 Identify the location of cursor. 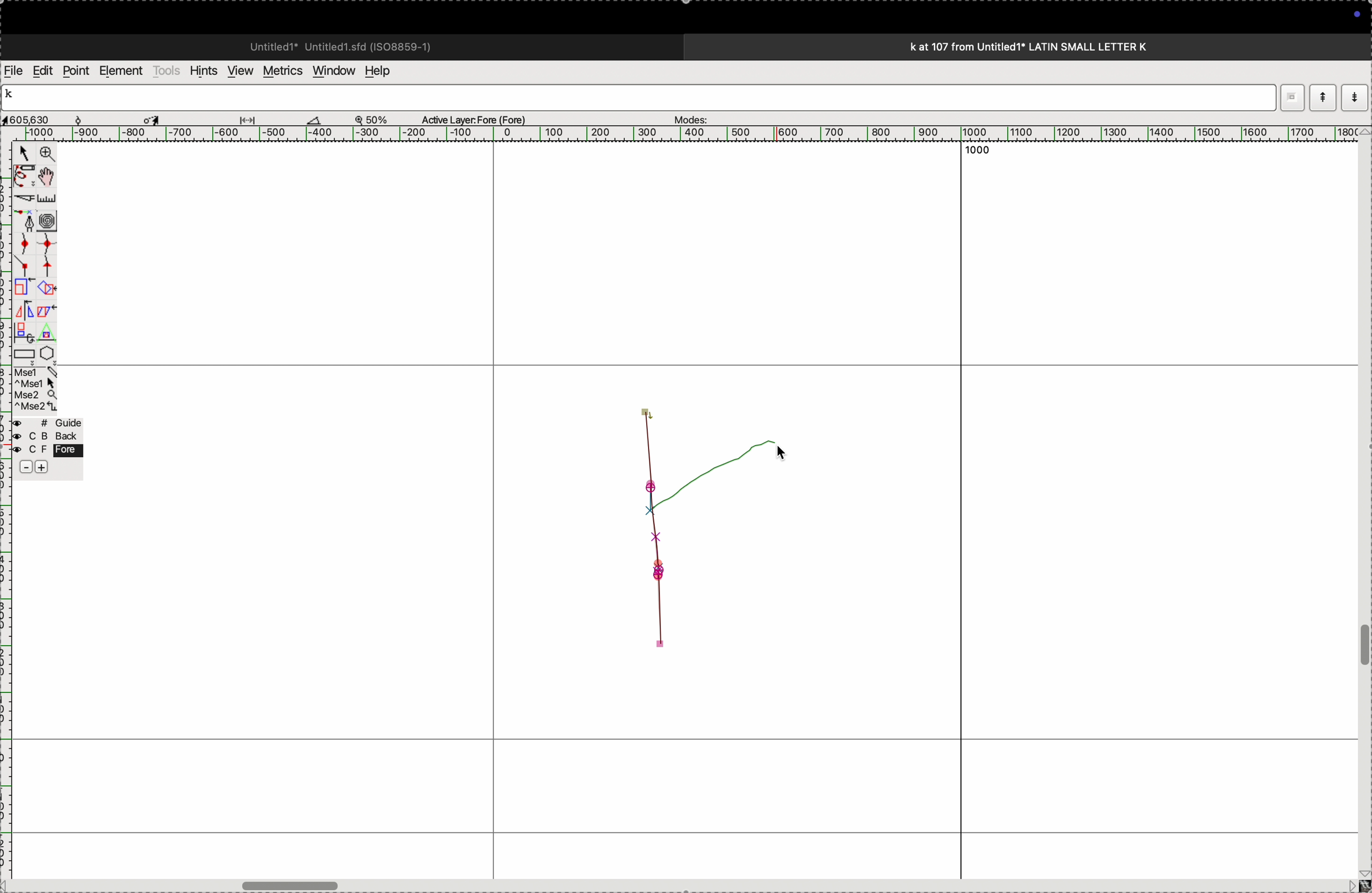
(154, 118).